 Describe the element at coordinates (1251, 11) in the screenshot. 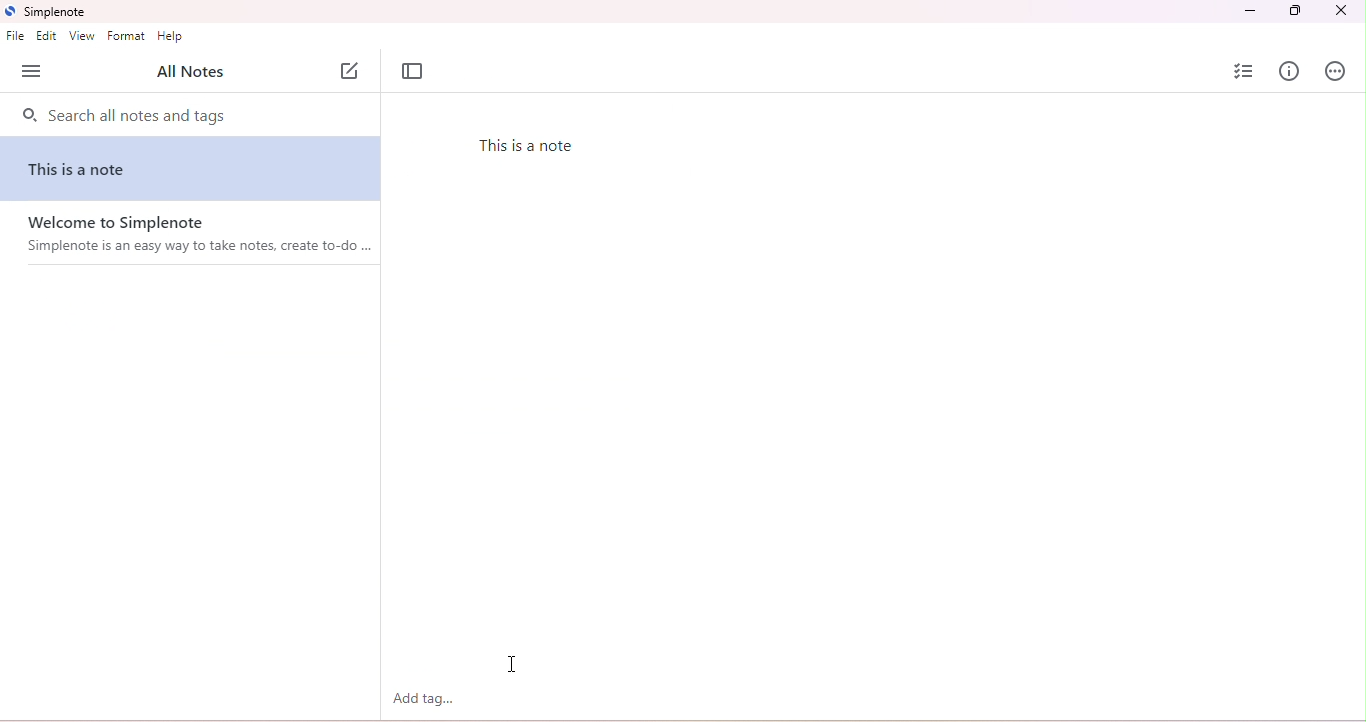

I see `minimize` at that location.